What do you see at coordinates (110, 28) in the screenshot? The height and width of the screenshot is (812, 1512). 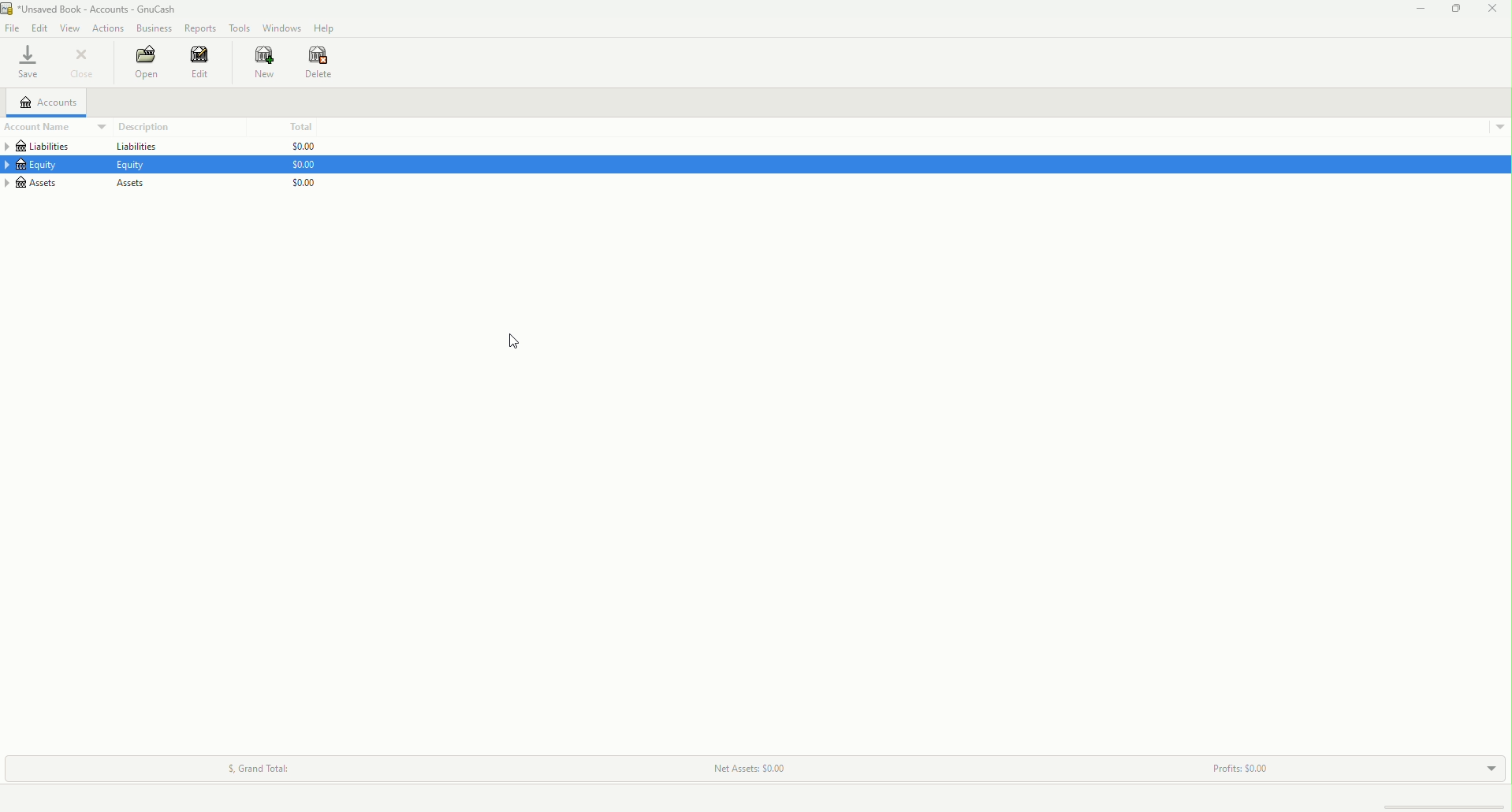 I see `Actions` at bounding box center [110, 28].